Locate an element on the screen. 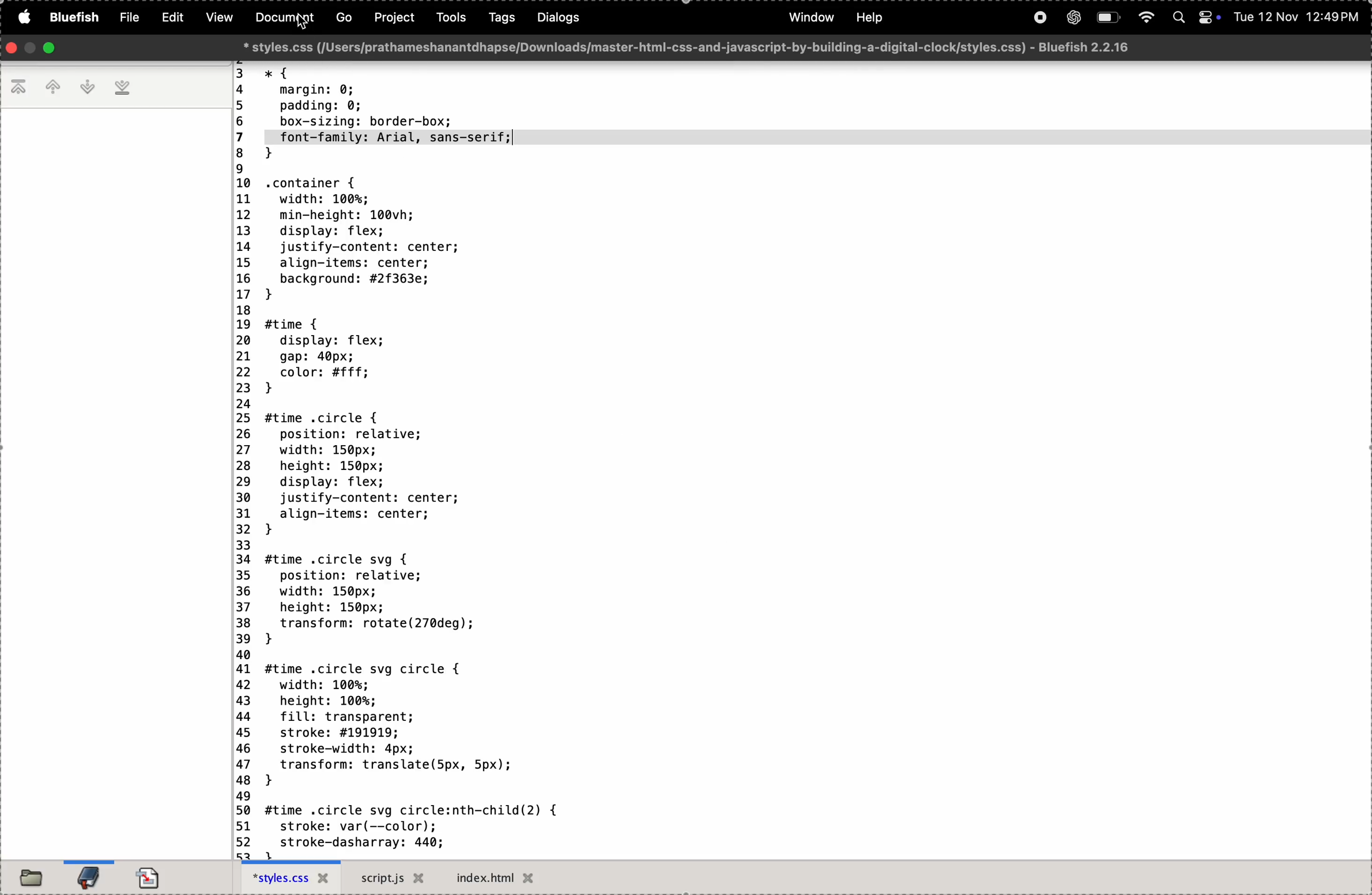 The width and height of the screenshot is (1372, 895). style.css is located at coordinates (290, 878).